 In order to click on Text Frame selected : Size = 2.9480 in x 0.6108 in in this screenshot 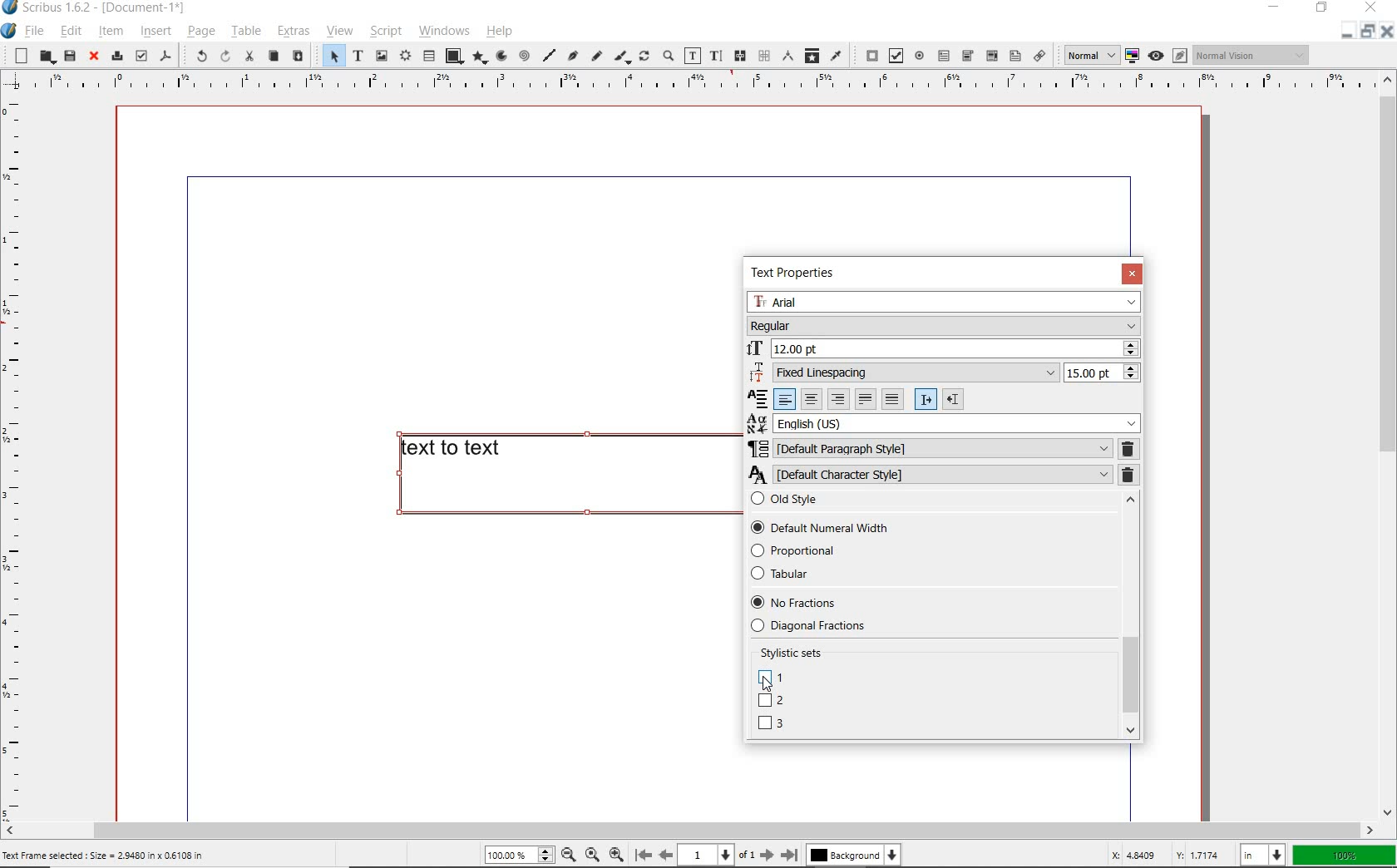, I will do `click(105, 856)`.